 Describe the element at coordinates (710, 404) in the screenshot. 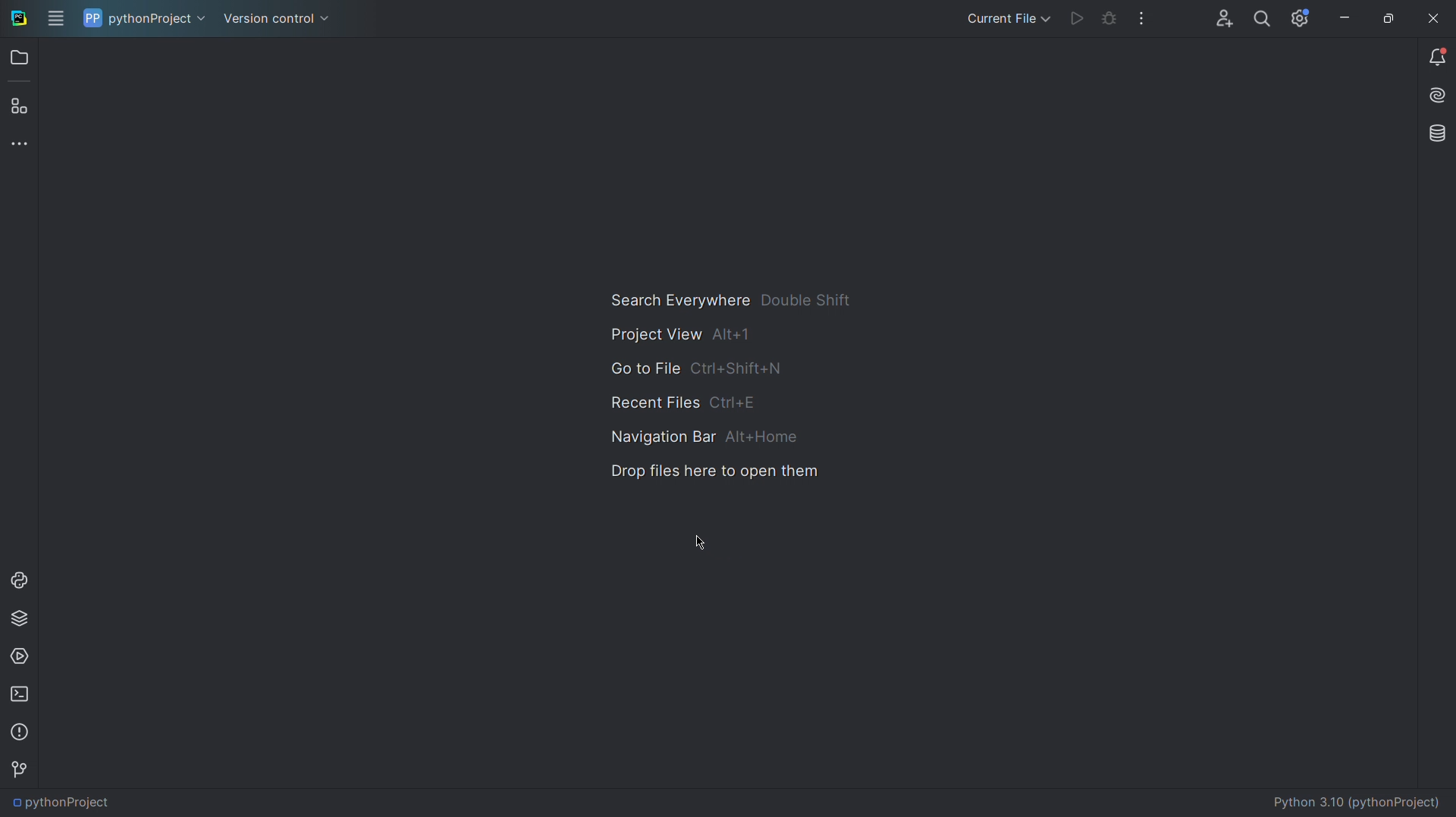

I see `Recent Files Ctrl+E` at that location.